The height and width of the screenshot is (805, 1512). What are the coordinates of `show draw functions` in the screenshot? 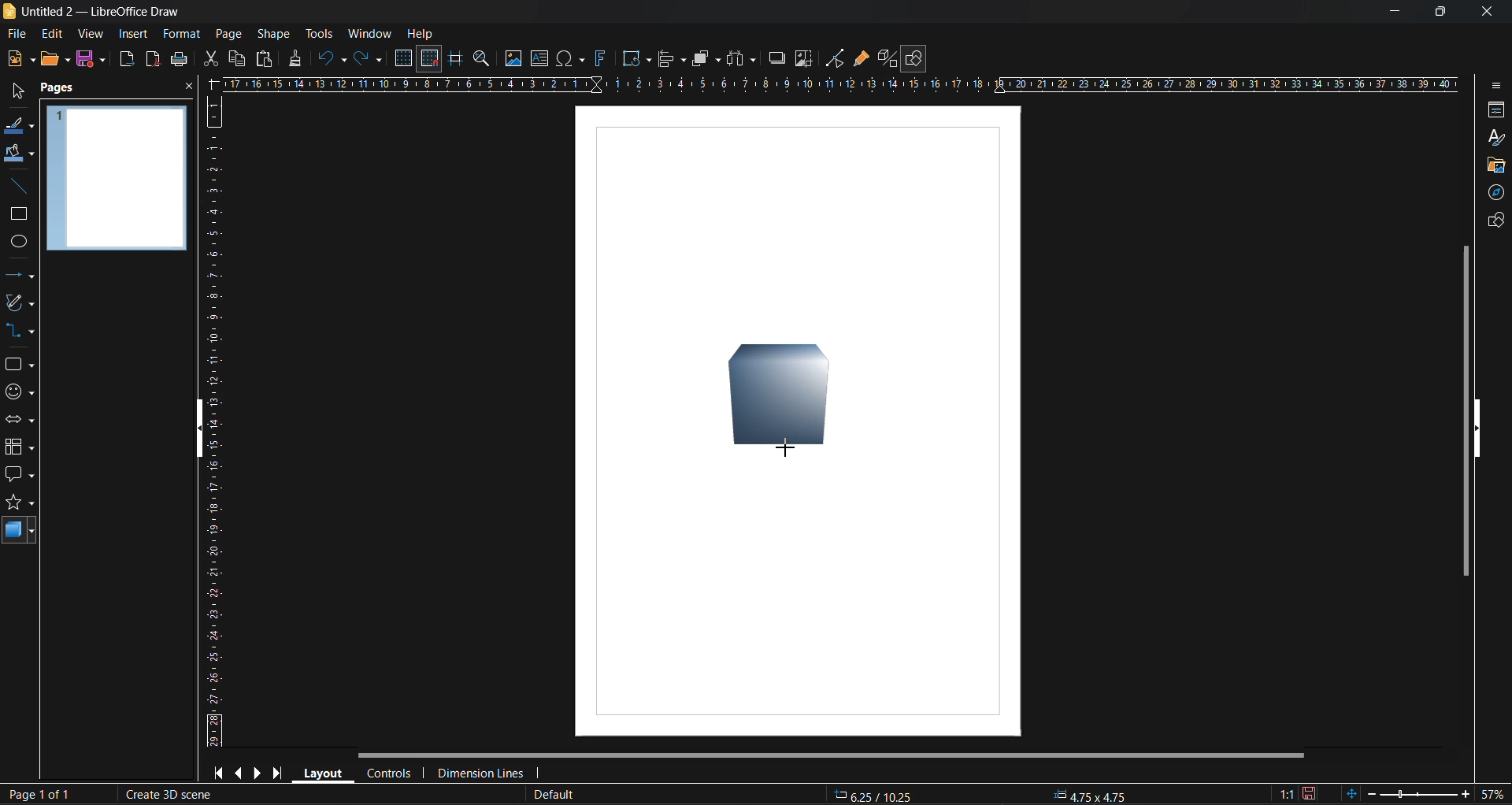 It's located at (917, 59).